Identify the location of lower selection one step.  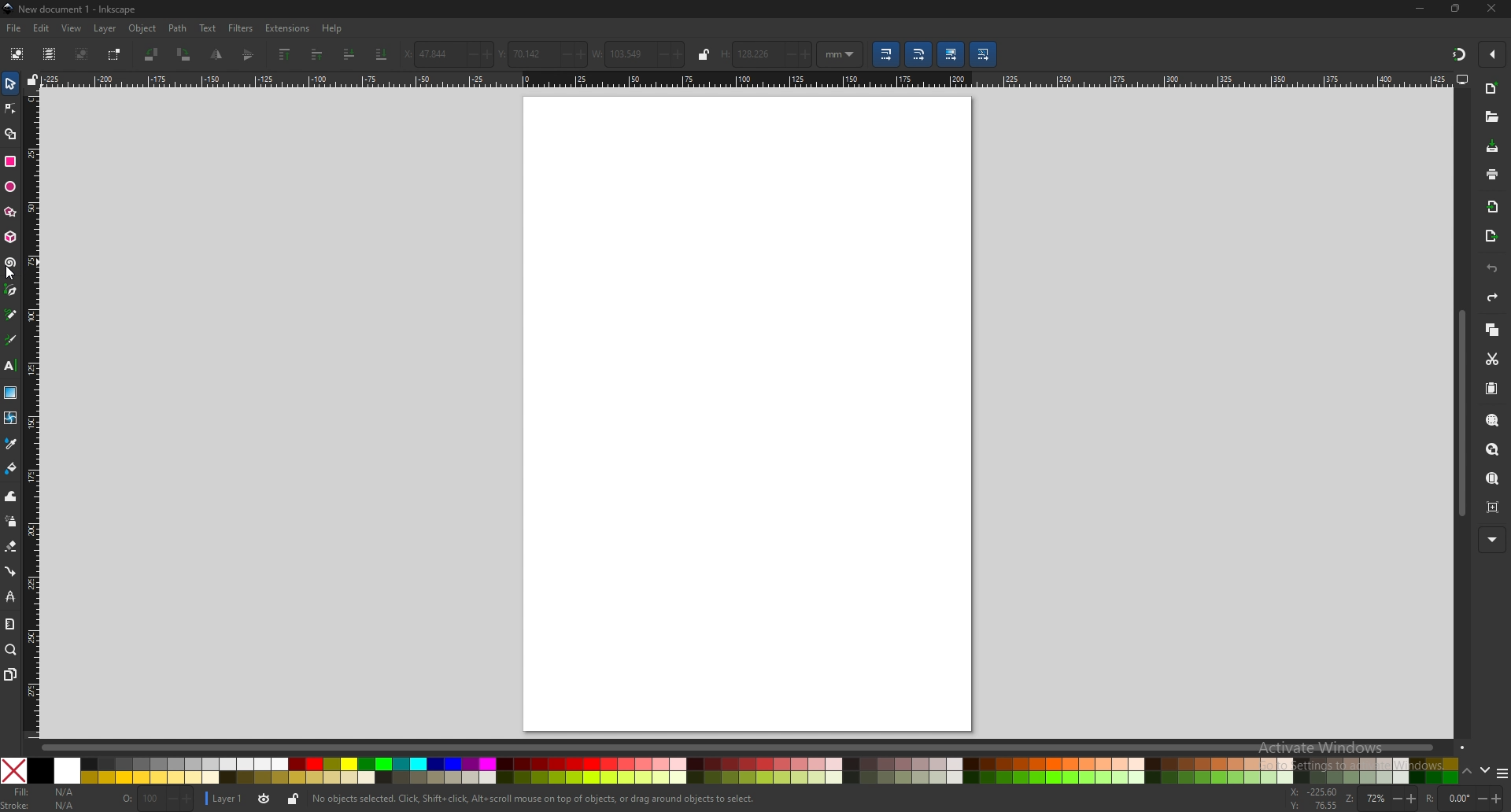
(349, 54).